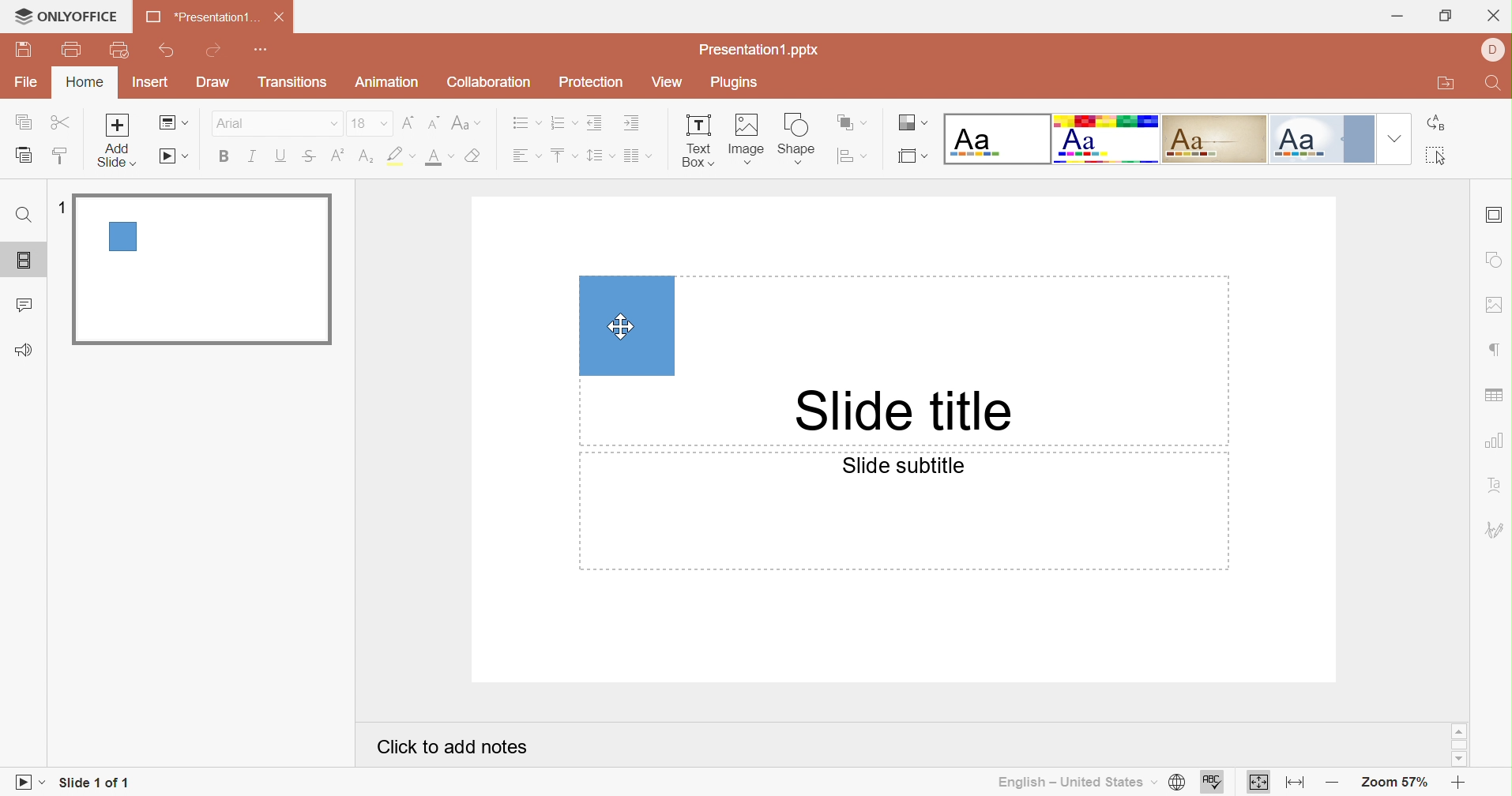  What do you see at coordinates (389, 82) in the screenshot?
I see `Animation` at bounding box center [389, 82].